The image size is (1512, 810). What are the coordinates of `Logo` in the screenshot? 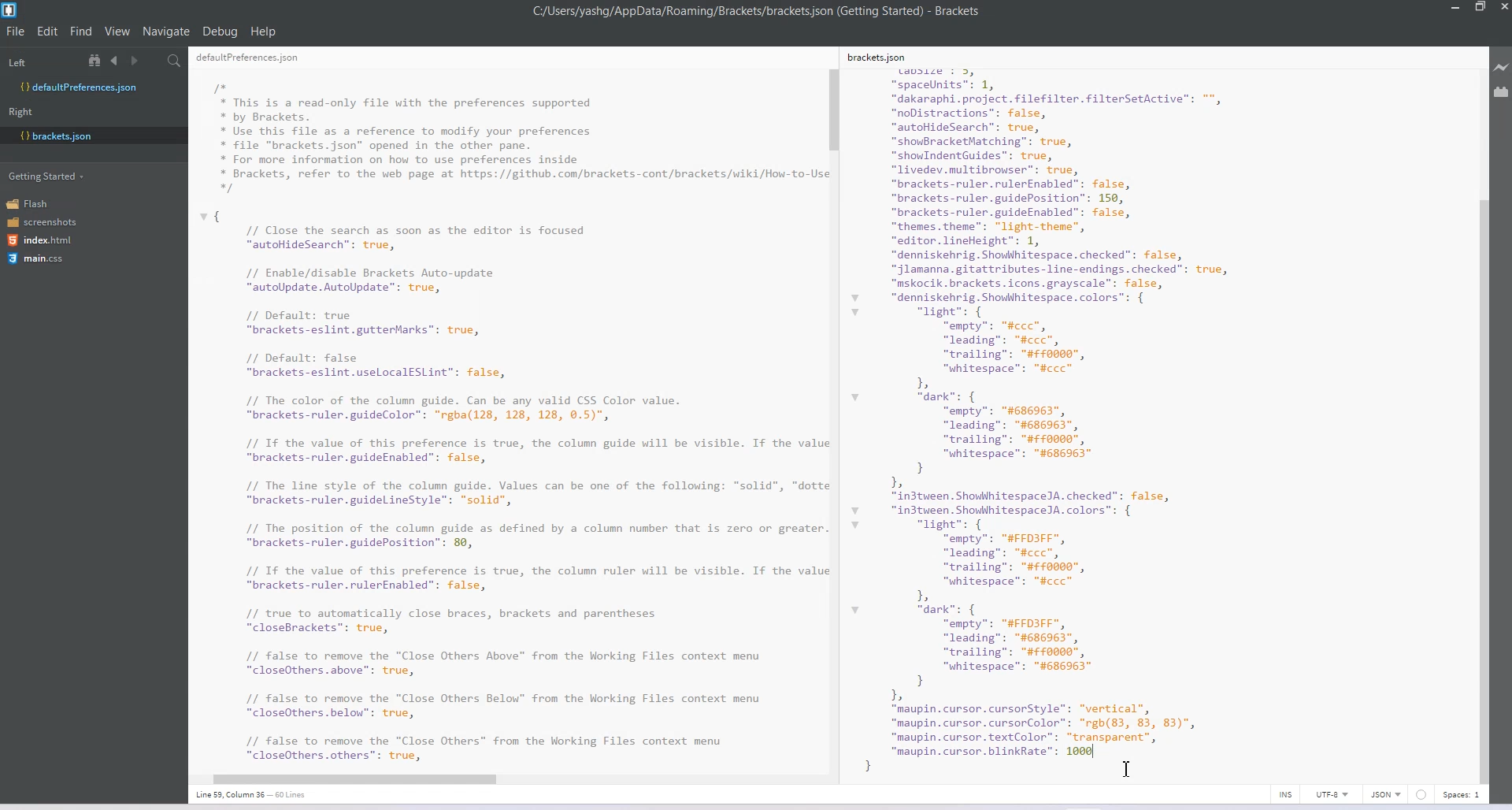 It's located at (11, 10).